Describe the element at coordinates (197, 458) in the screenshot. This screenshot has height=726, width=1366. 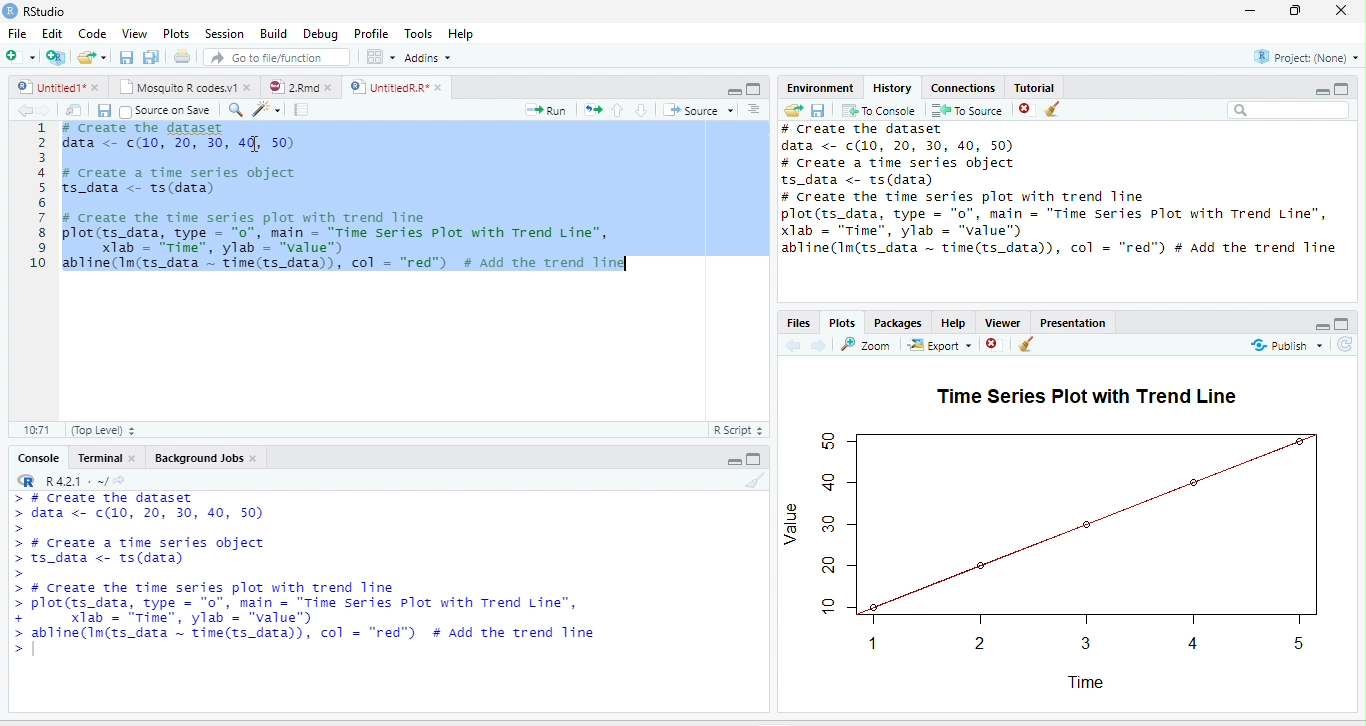
I see `Background Jobs` at that location.